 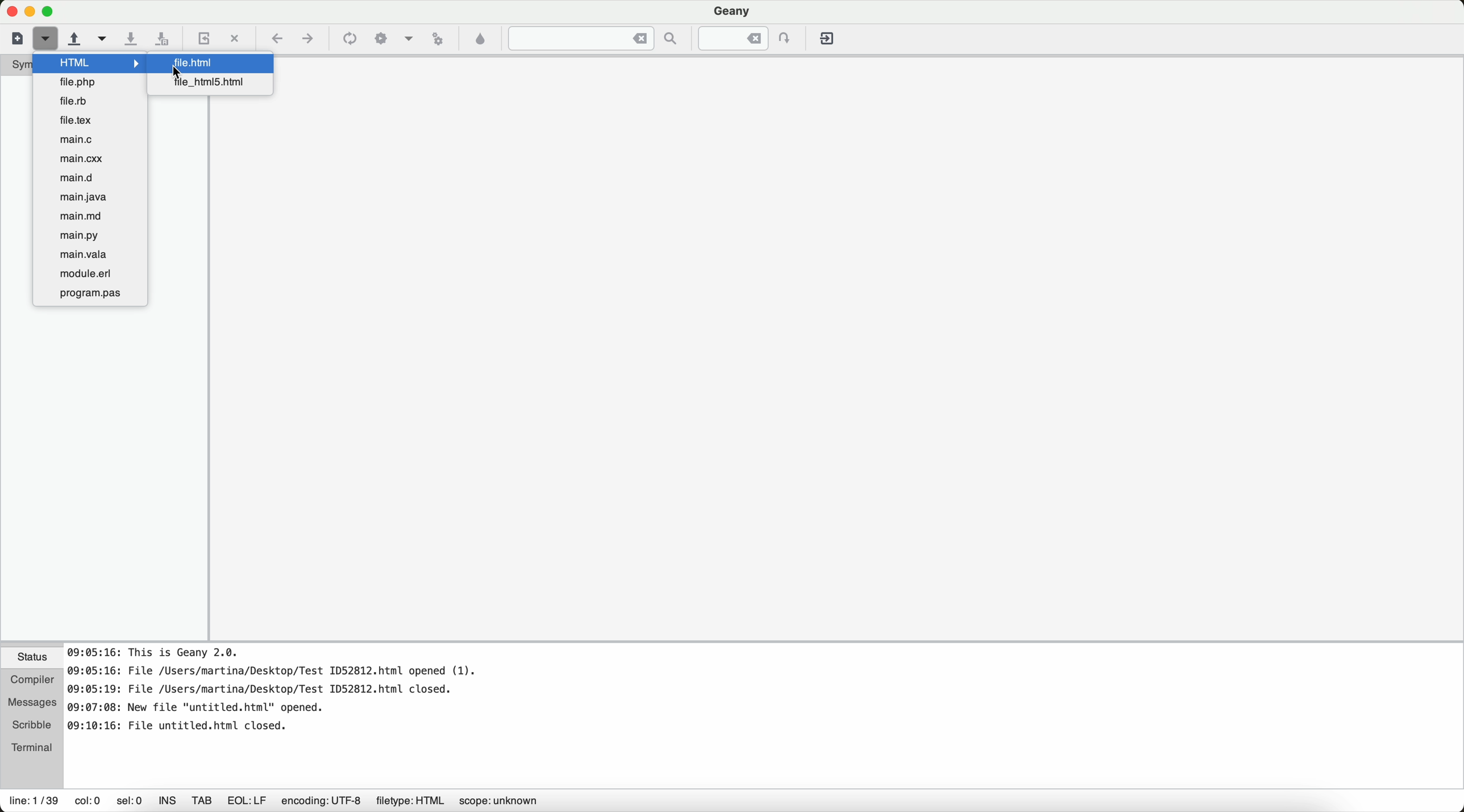 I want to click on information, so click(x=275, y=800).